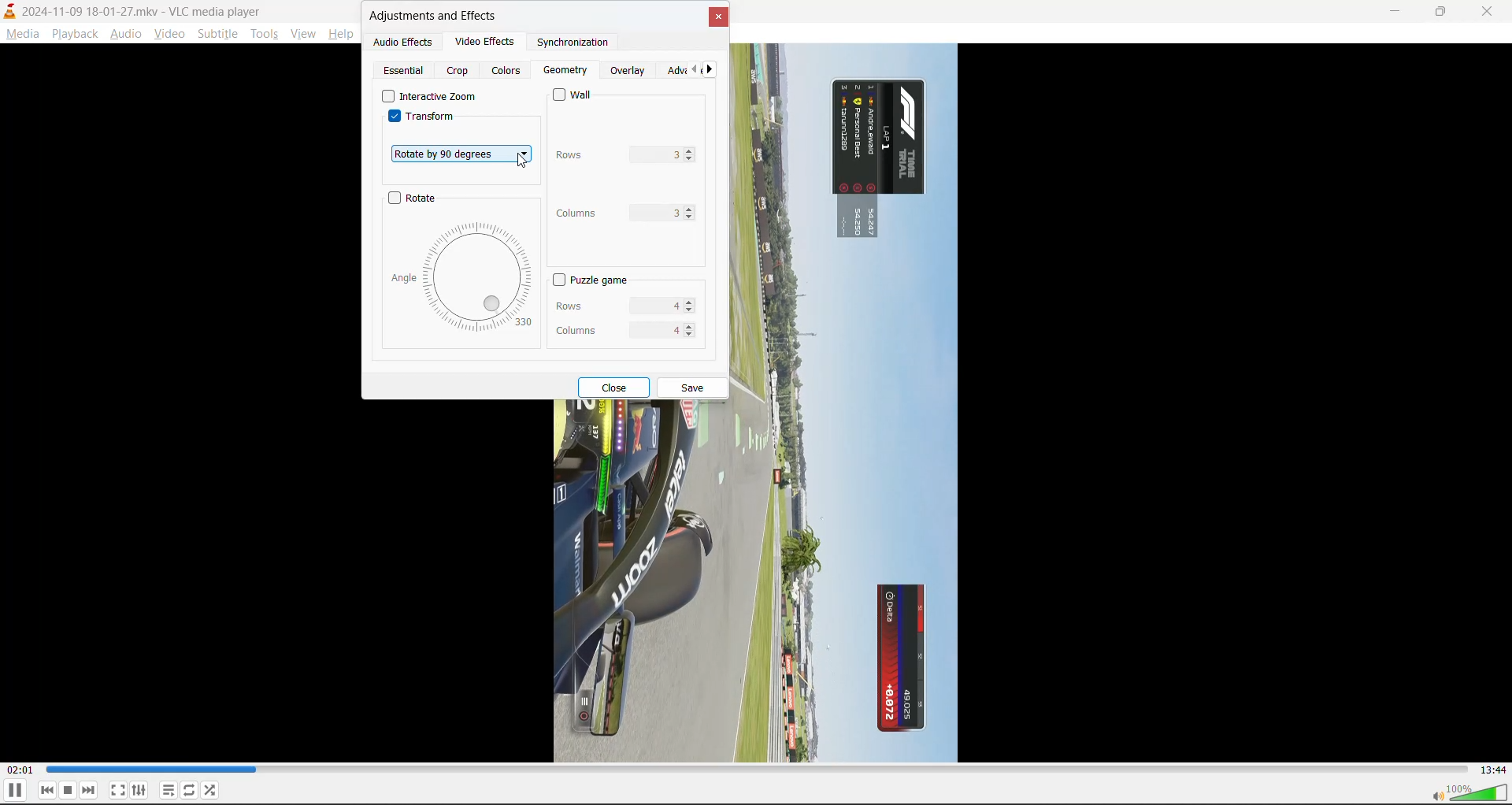 The height and width of the screenshot is (805, 1512). Describe the element at coordinates (69, 790) in the screenshot. I see `stop` at that location.